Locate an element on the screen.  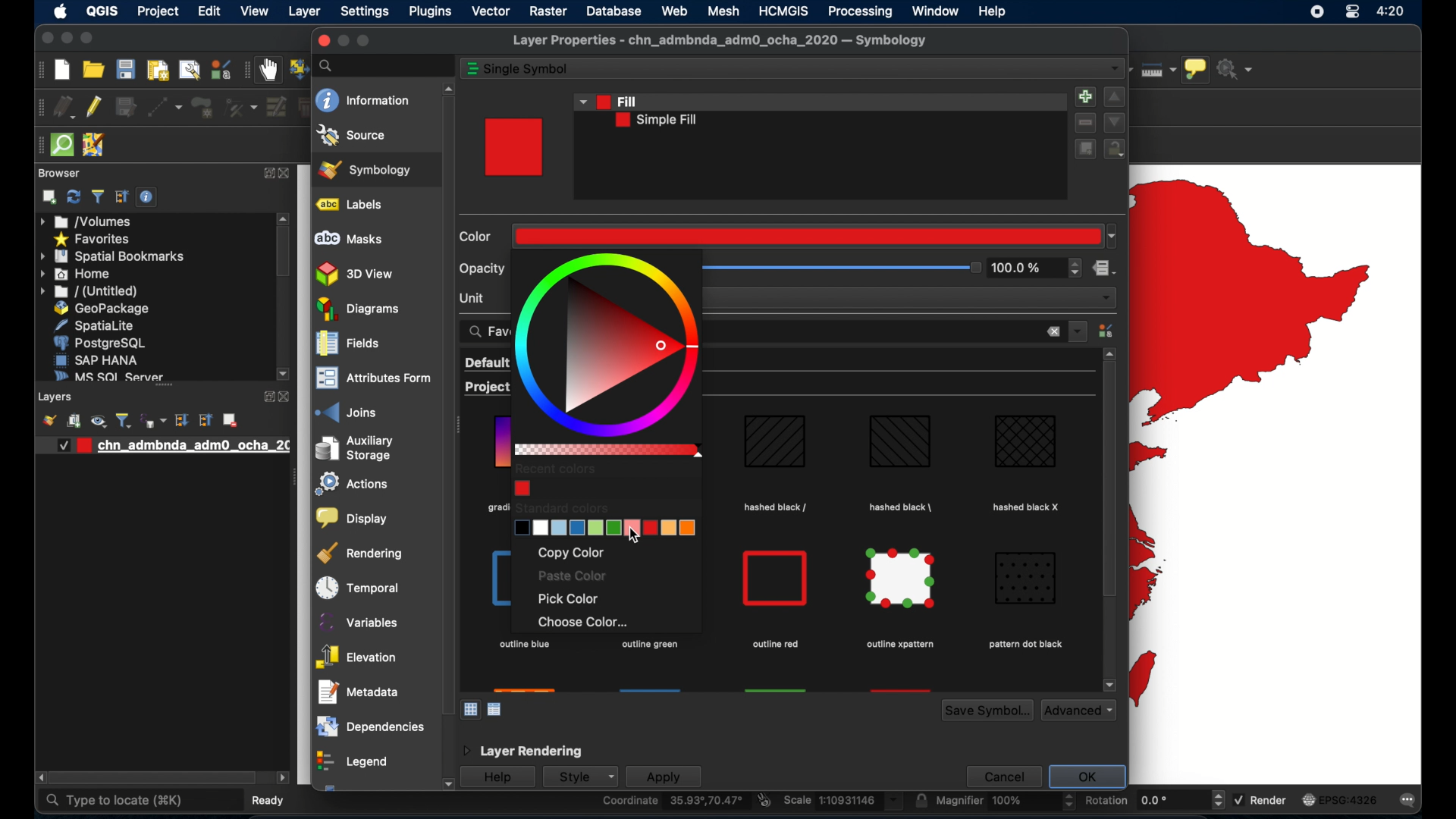
digitize with segment is located at coordinates (165, 108).